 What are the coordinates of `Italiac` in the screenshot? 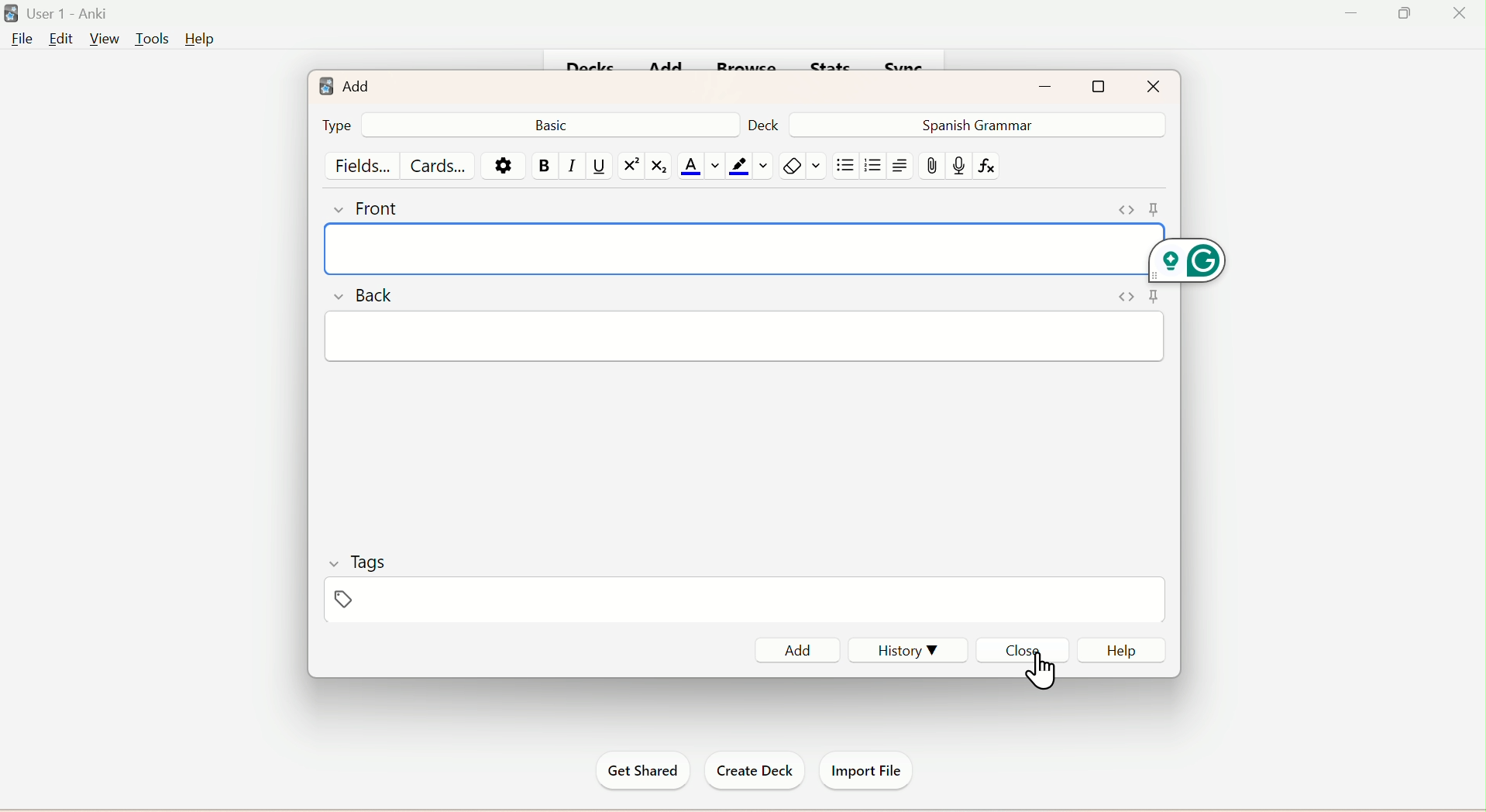 It's located at (573, 166).